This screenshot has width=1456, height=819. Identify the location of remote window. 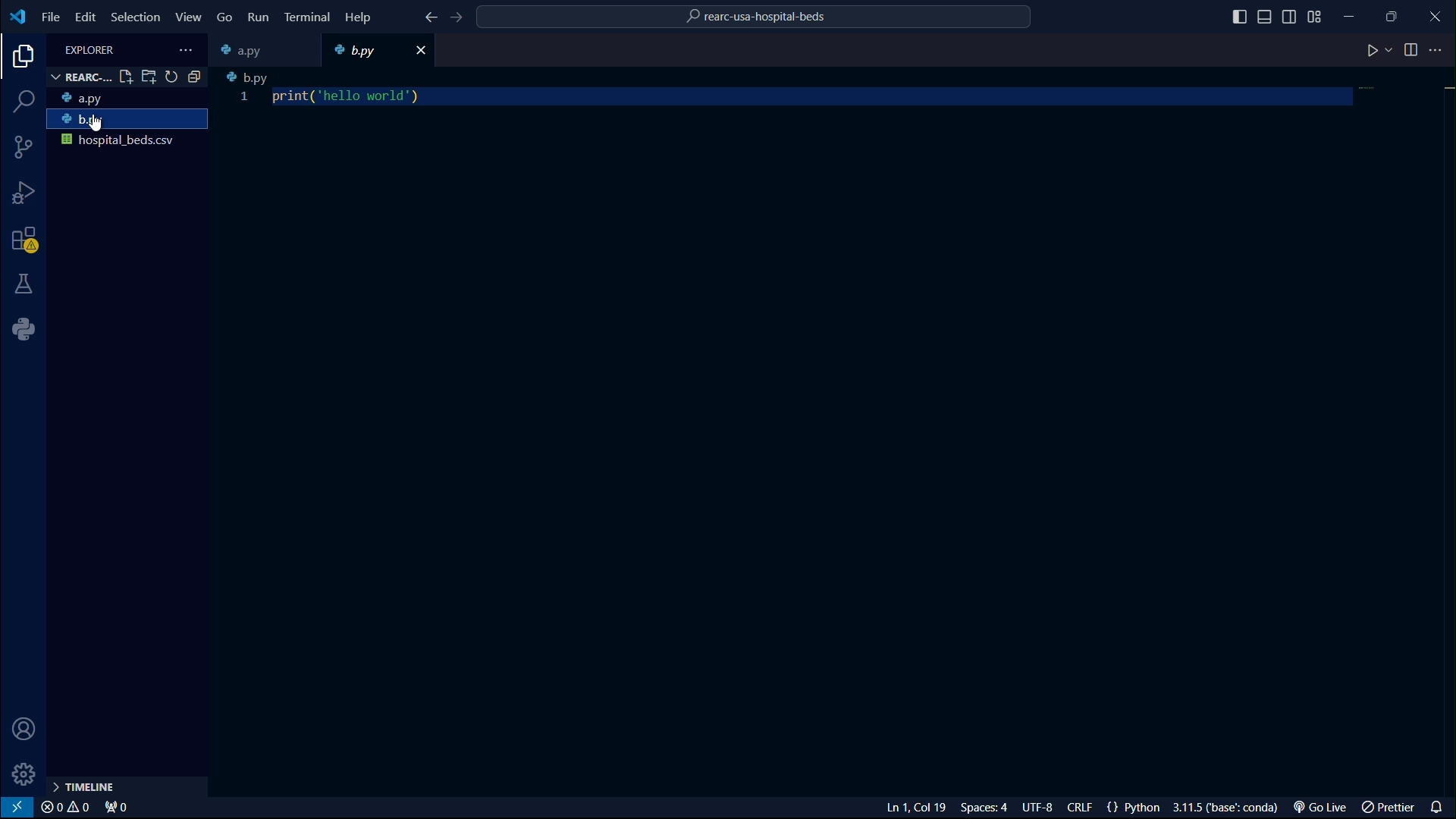
(18, 808).